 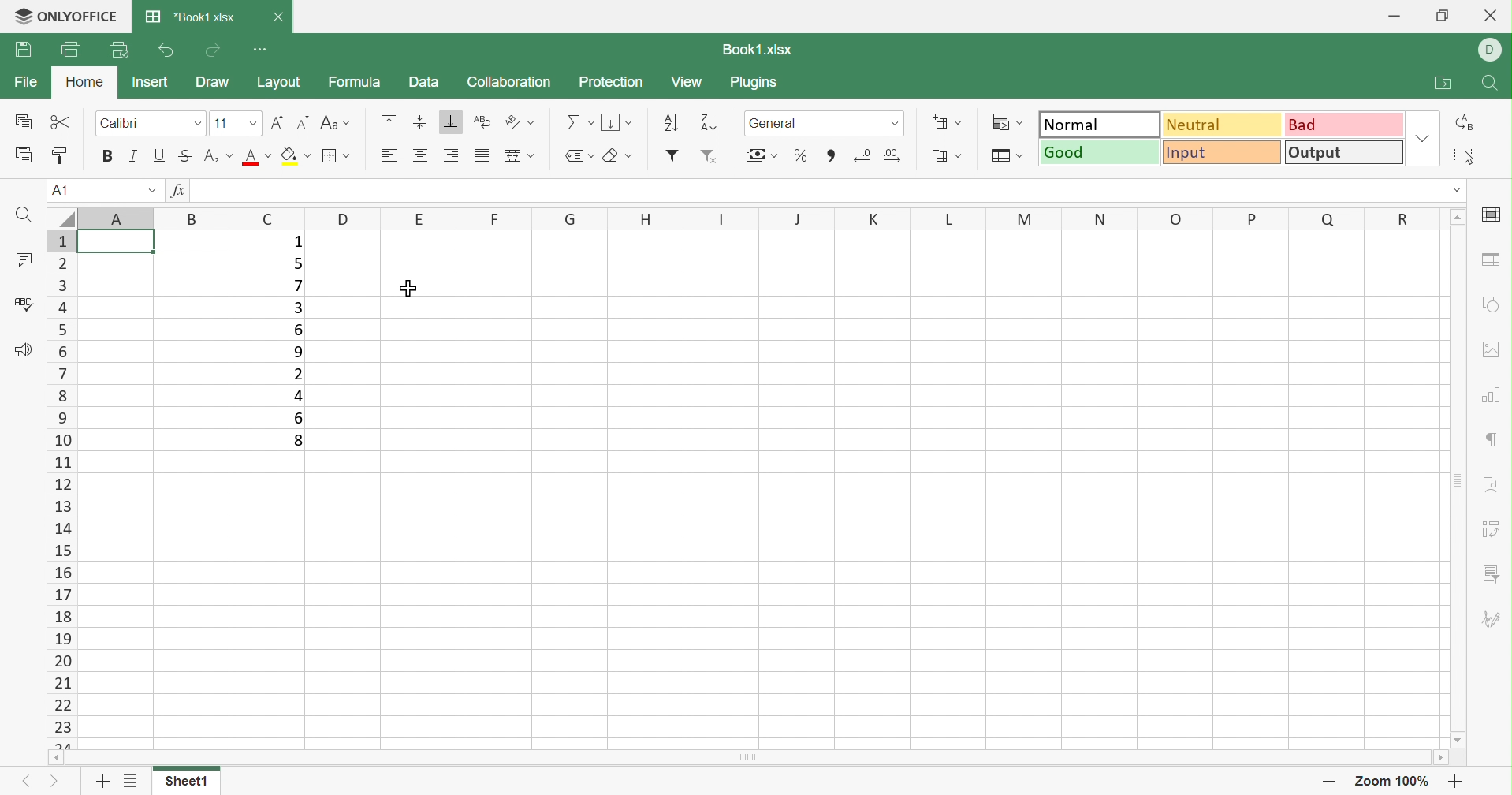 What do you see at coordinates (64, 156) in the screenshot?
I see `Copy style` at bounding box center [64, 156].